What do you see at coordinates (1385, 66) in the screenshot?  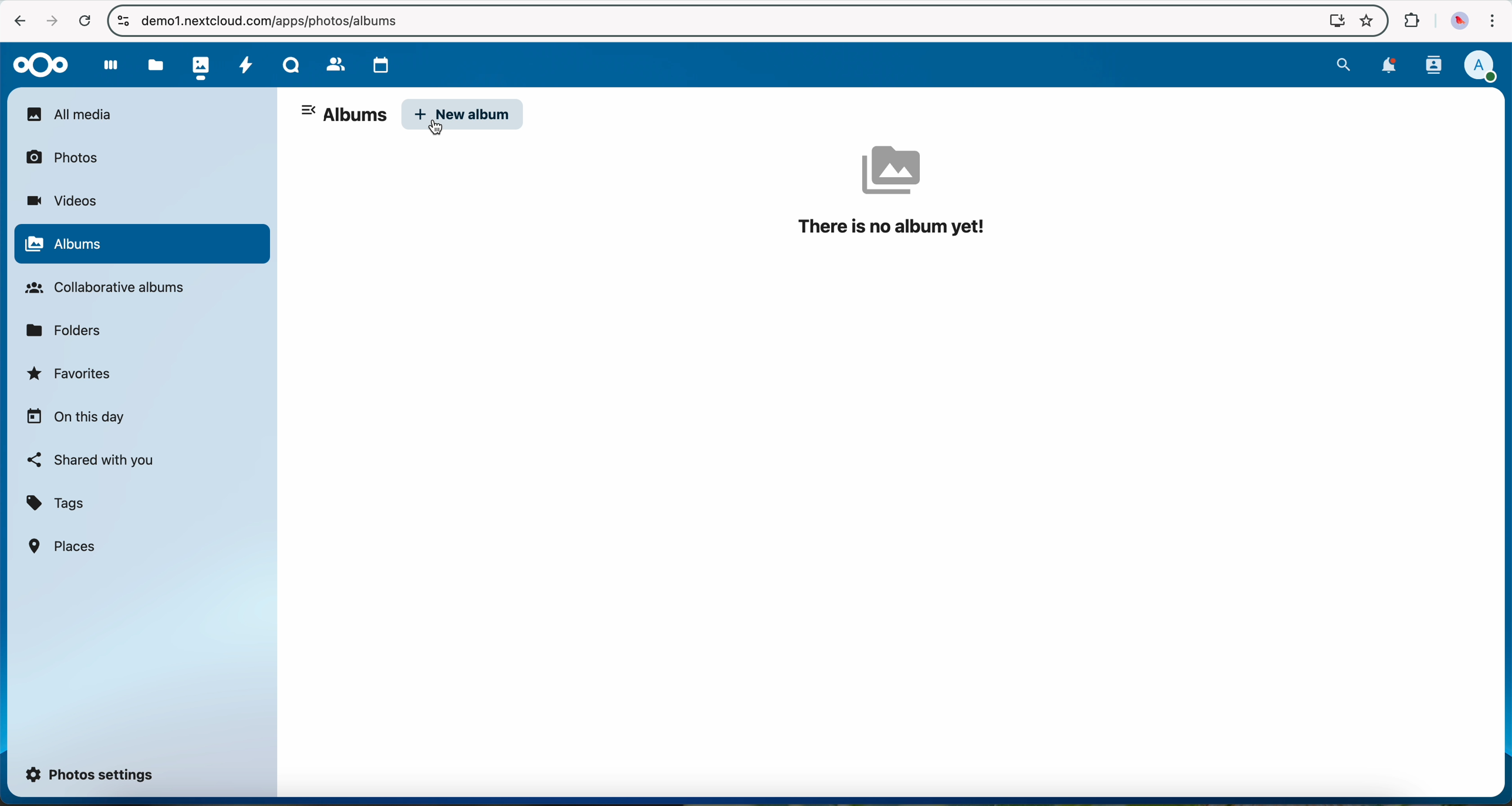 I see `notifications` at bounding box center [1385, 66].